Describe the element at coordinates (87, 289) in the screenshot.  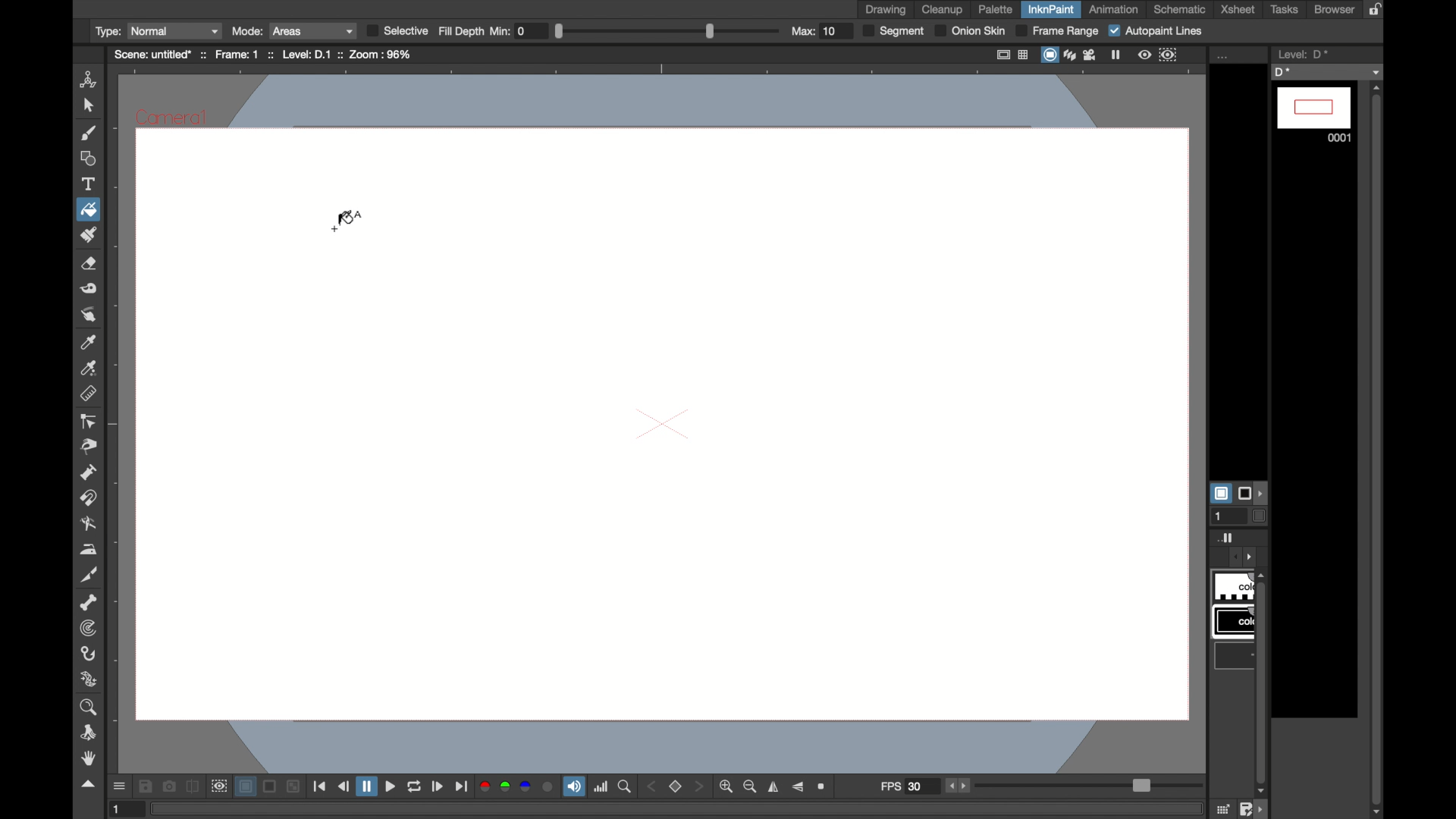
I see `tape tool` at that location.